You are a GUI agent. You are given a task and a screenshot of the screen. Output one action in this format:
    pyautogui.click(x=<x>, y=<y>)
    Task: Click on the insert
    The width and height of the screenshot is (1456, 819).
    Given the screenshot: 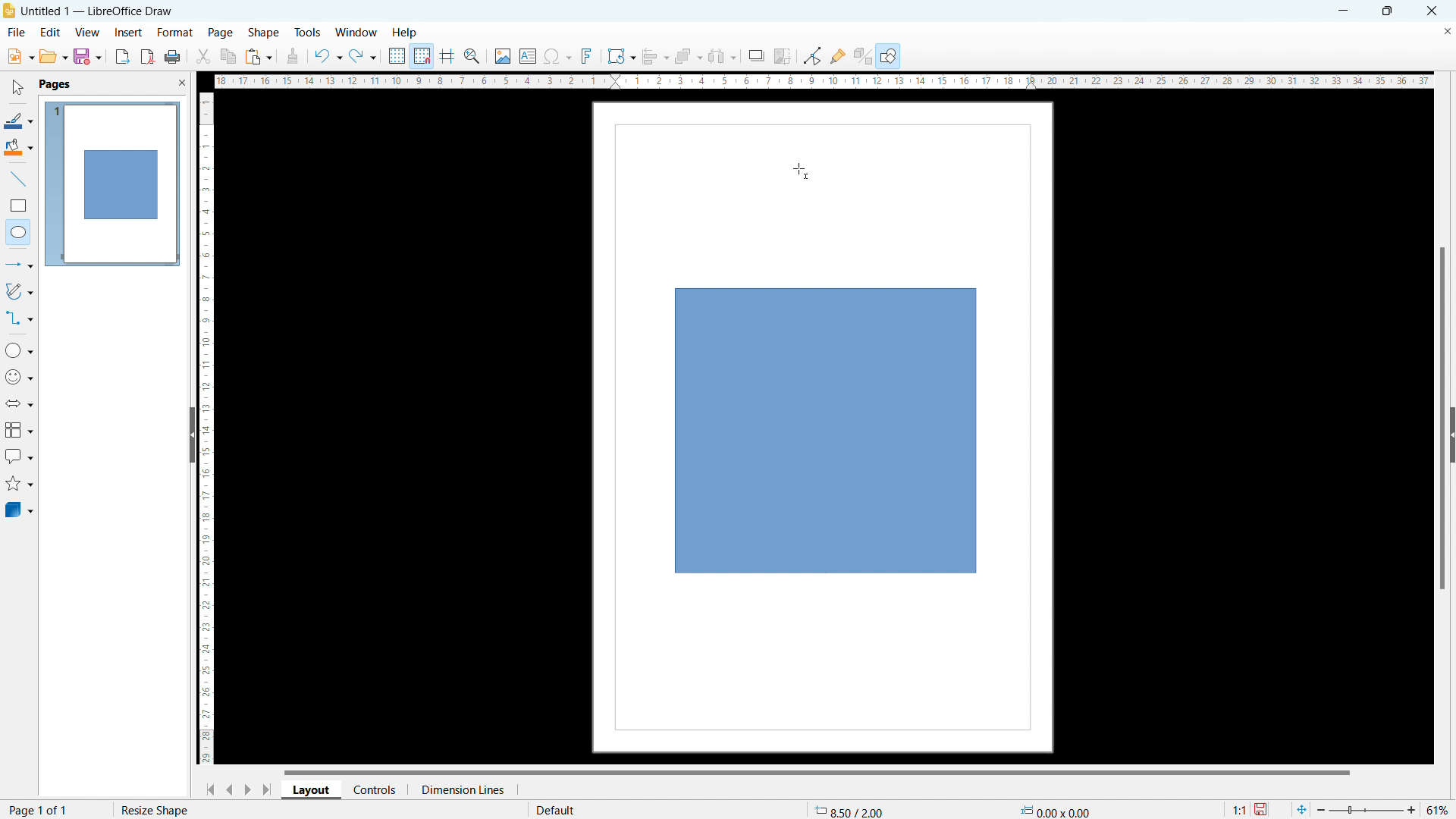 What is the action you would take?
    pyautogui.click(x=129, y=33)
    